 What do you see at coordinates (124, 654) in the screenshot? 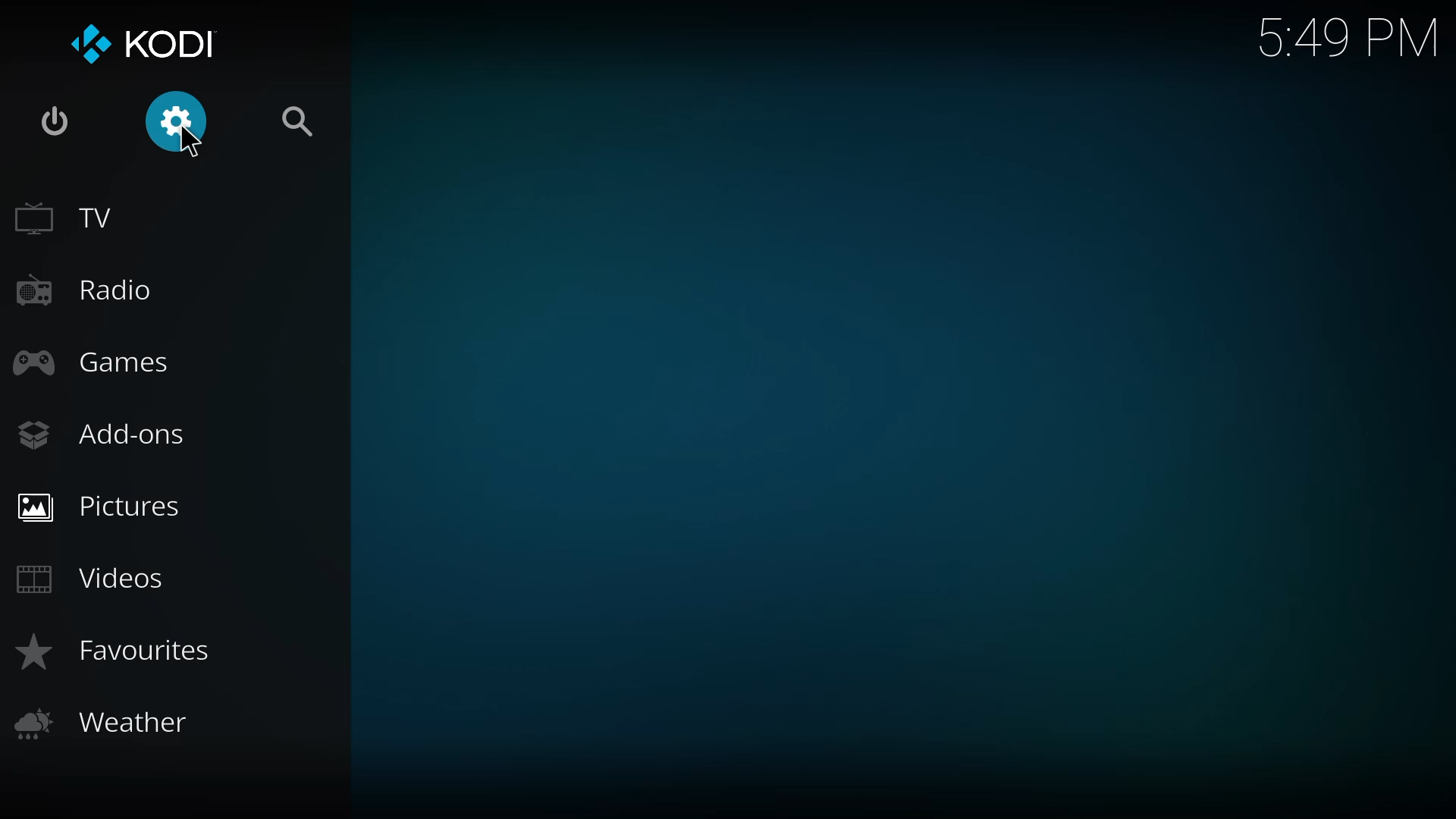
I see `favorites` at bounding box center [124, 654].